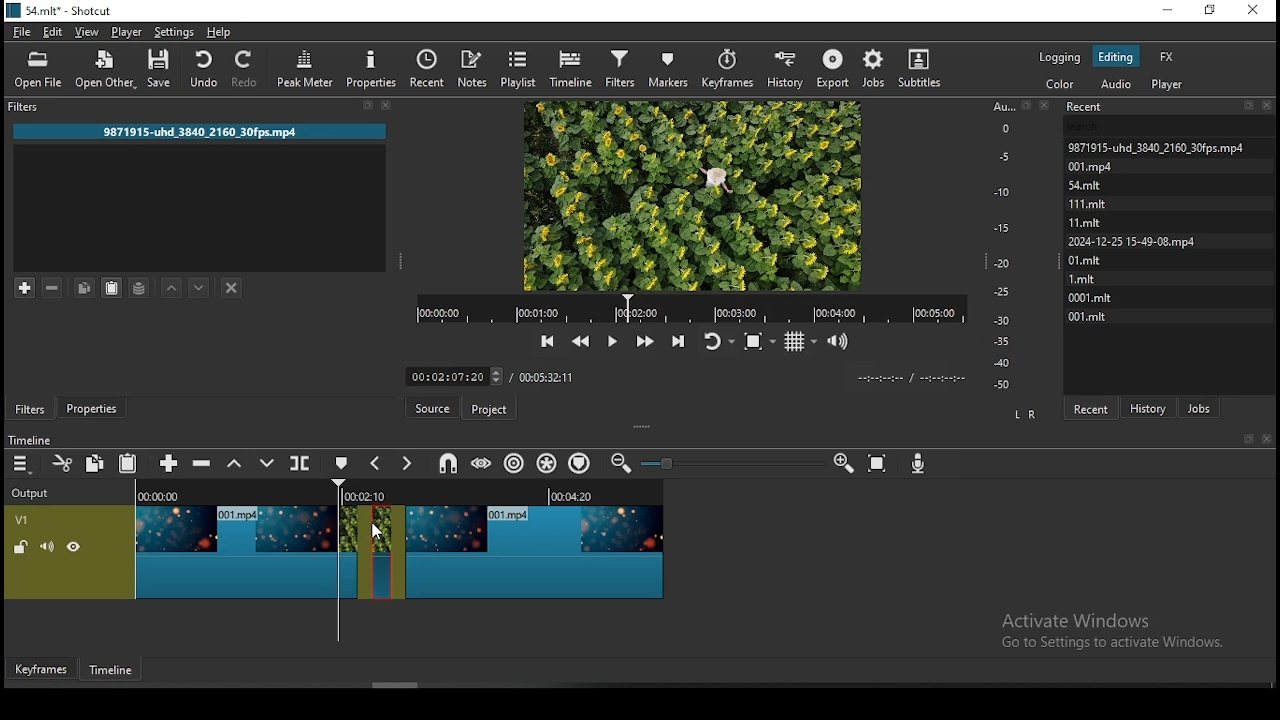 The height and width of the screenshot is (720, 1280). Describe the element at coordinates (907, 377) in the screenshot. I see `timer` at that location.